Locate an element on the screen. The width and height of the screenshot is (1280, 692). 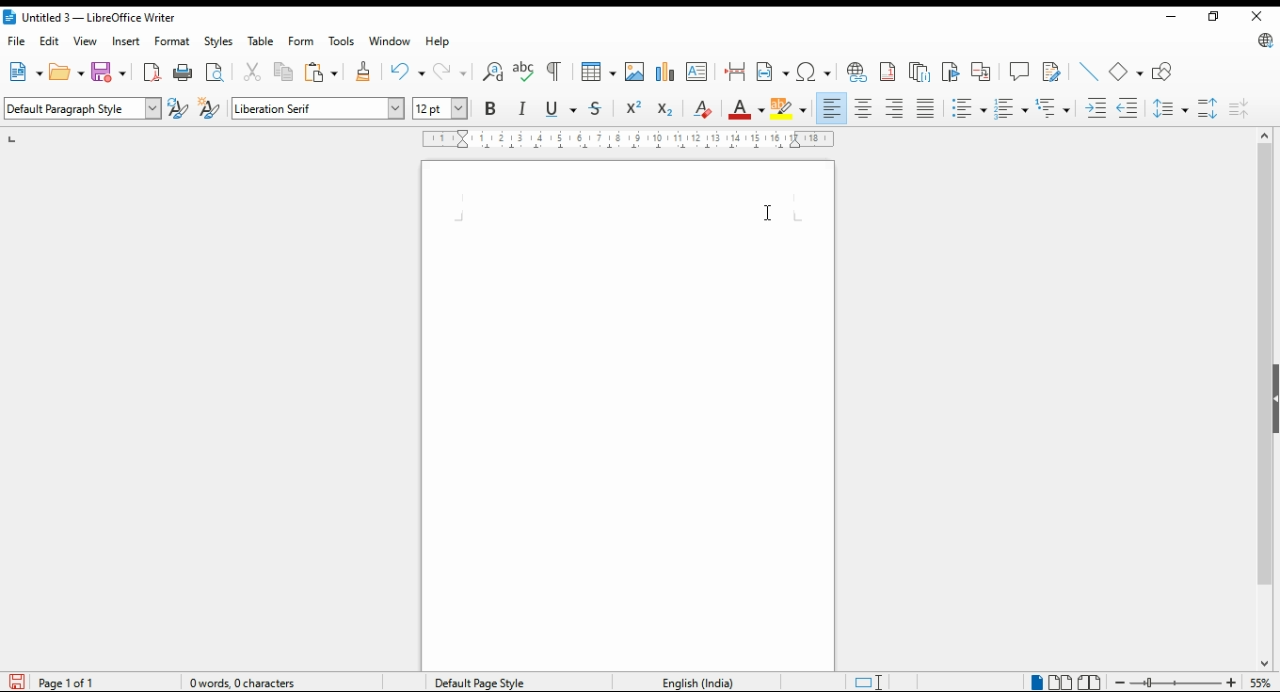
dit is located at coordinates (51, 41).